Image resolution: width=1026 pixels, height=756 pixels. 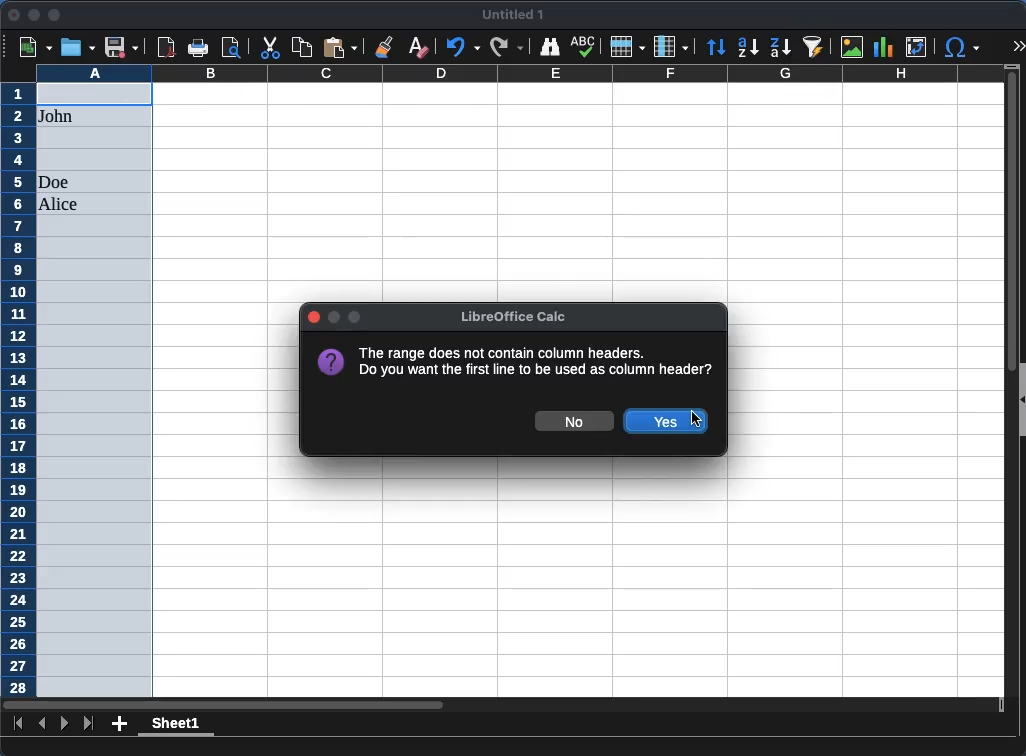 I want to click on new, so click(x=37, y=48).